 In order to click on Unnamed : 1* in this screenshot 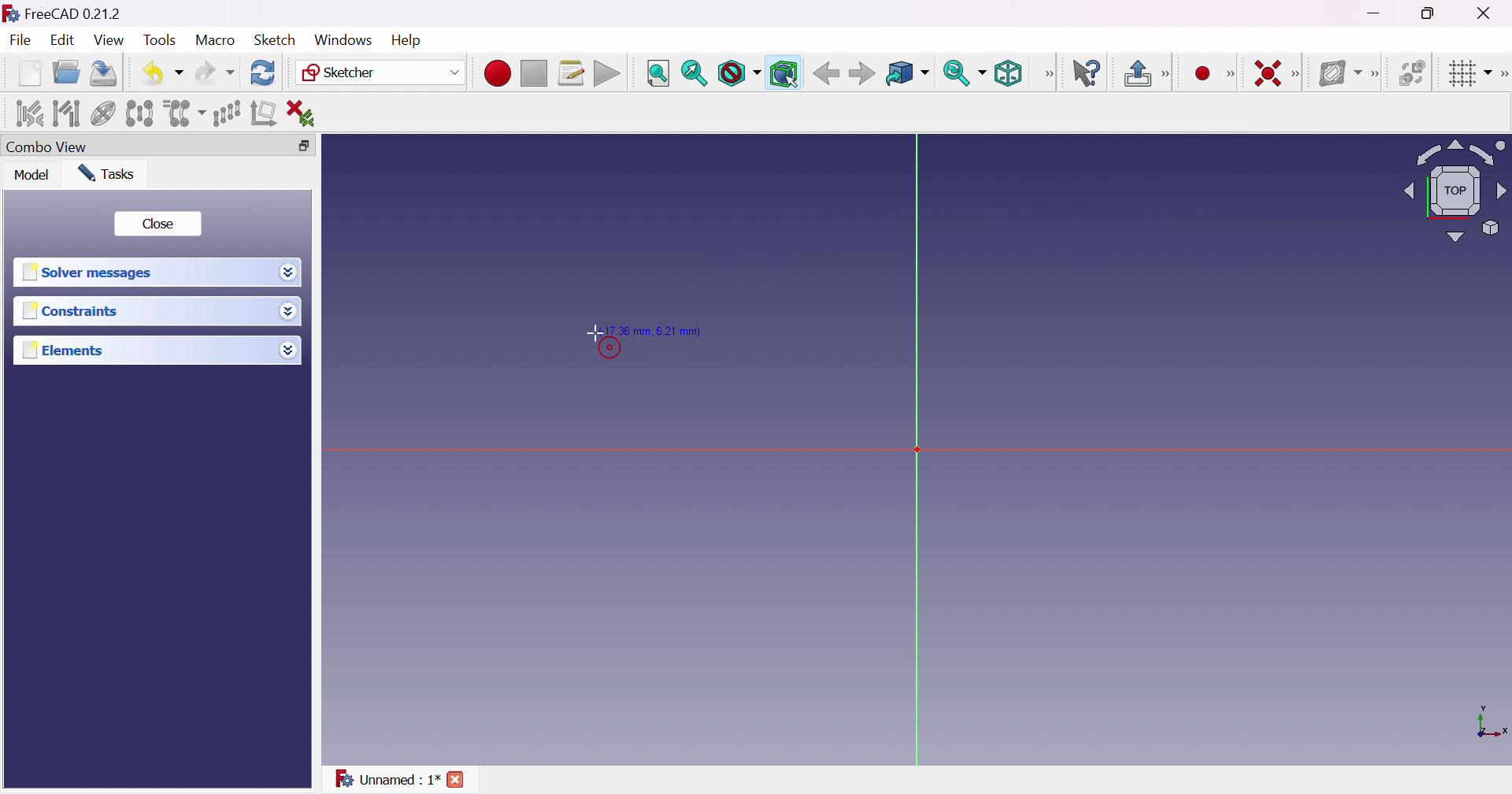, I will do `click(386, 777)`.